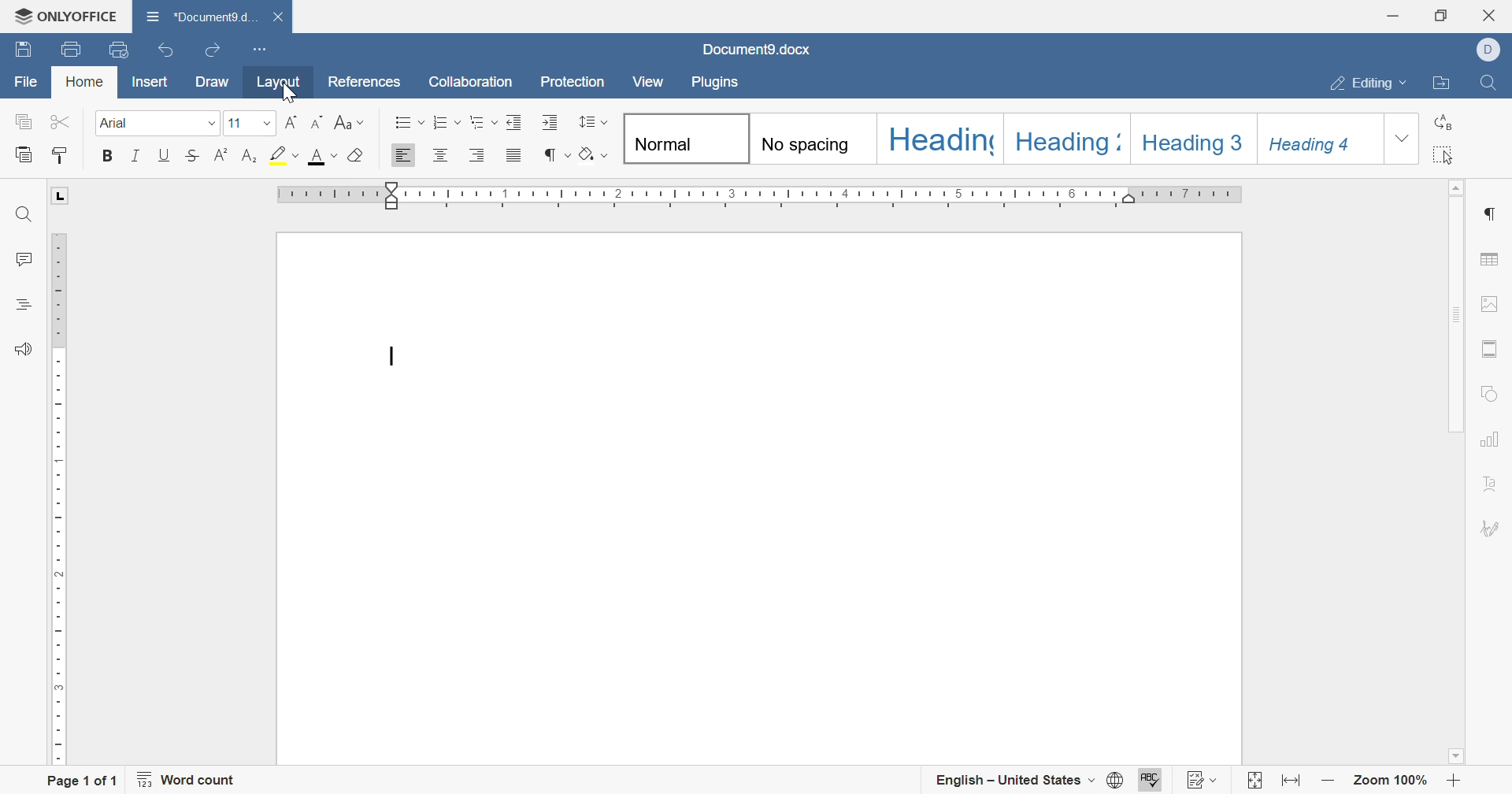  What do you see at coordinates (1440, 84) in the screenshot?
I see `open file location` at bounding box center [1440, 84].